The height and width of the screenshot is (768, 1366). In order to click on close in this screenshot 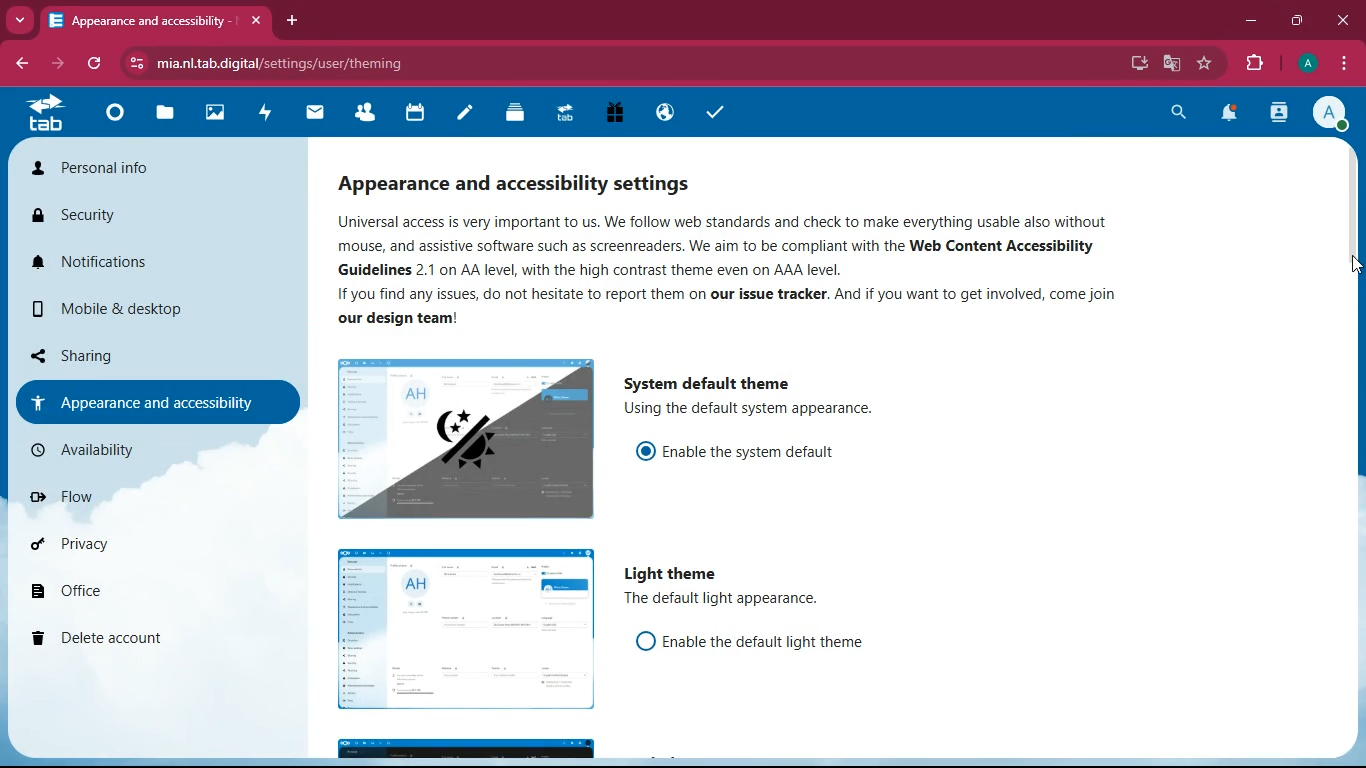, I will do `click(255, 20)`.